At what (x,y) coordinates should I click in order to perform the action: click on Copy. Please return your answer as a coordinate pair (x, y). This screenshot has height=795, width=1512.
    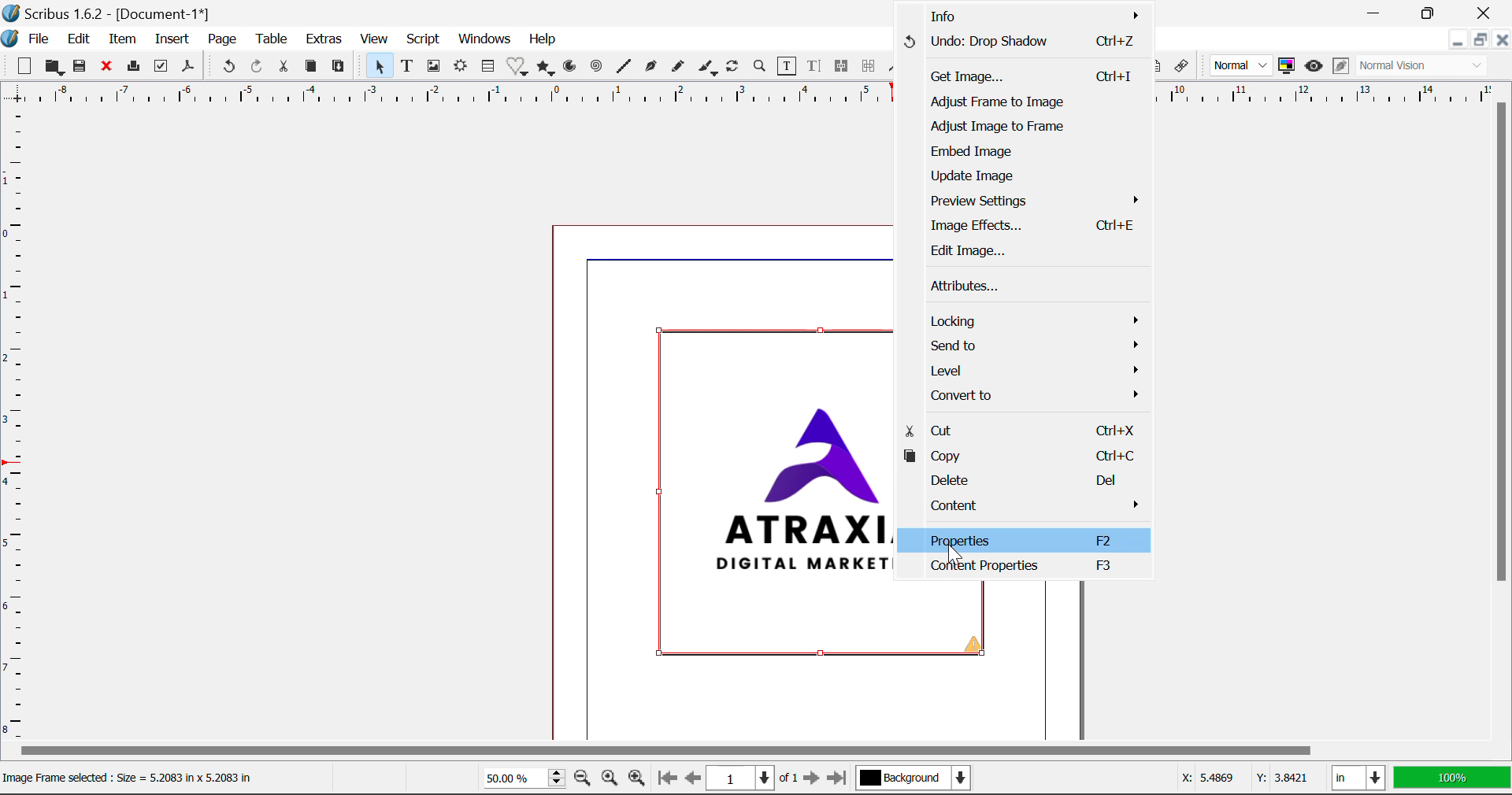
    Looking at the image, I should click on (1025, 457).